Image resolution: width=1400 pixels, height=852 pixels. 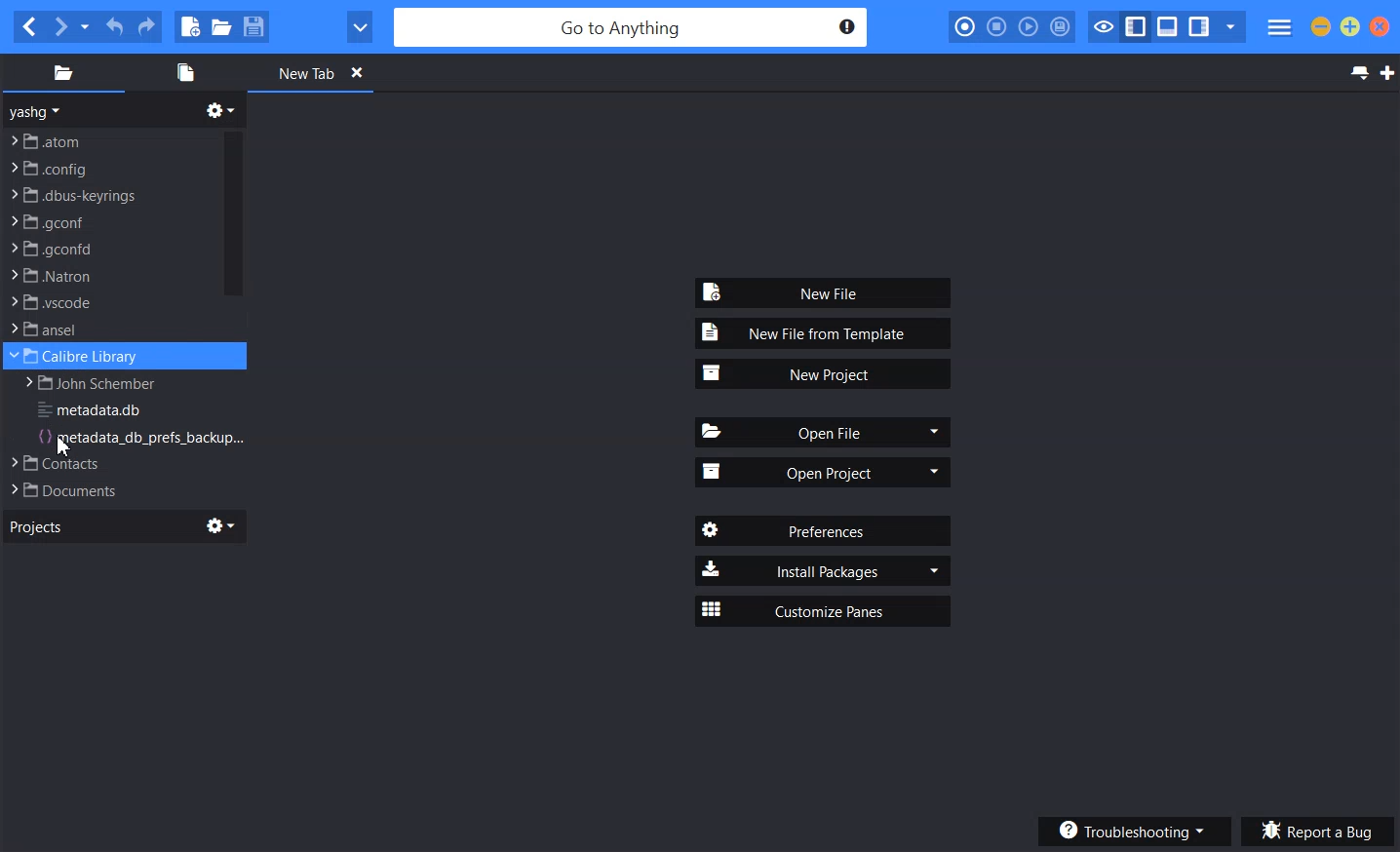 I want to click on File, so click(x=108, y=302).